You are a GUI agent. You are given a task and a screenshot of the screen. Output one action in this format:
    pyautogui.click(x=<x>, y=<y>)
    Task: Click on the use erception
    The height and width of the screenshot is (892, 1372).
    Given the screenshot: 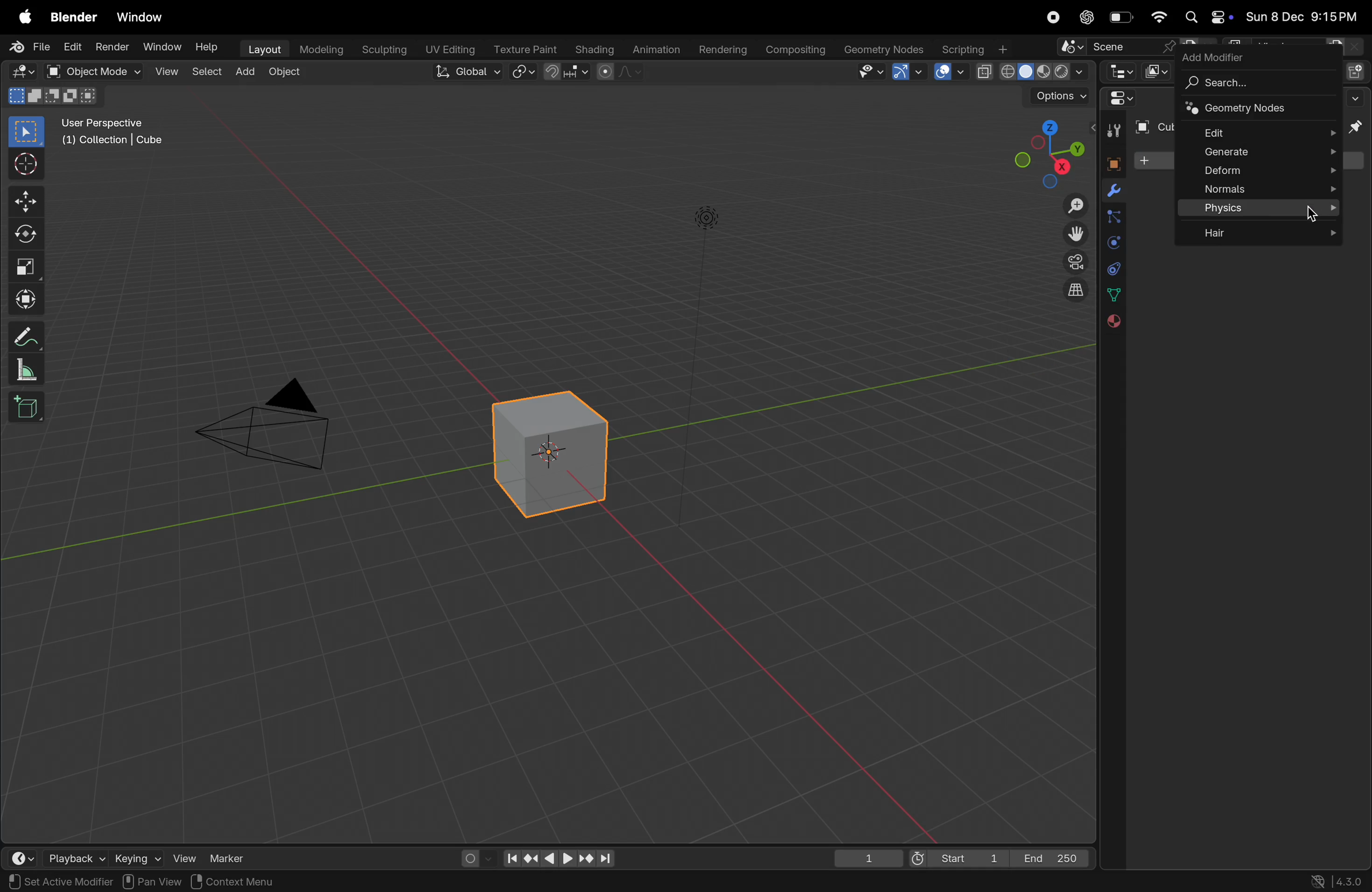 What is the action you would take?
    pyautogui.click(x=109, y=124)
    